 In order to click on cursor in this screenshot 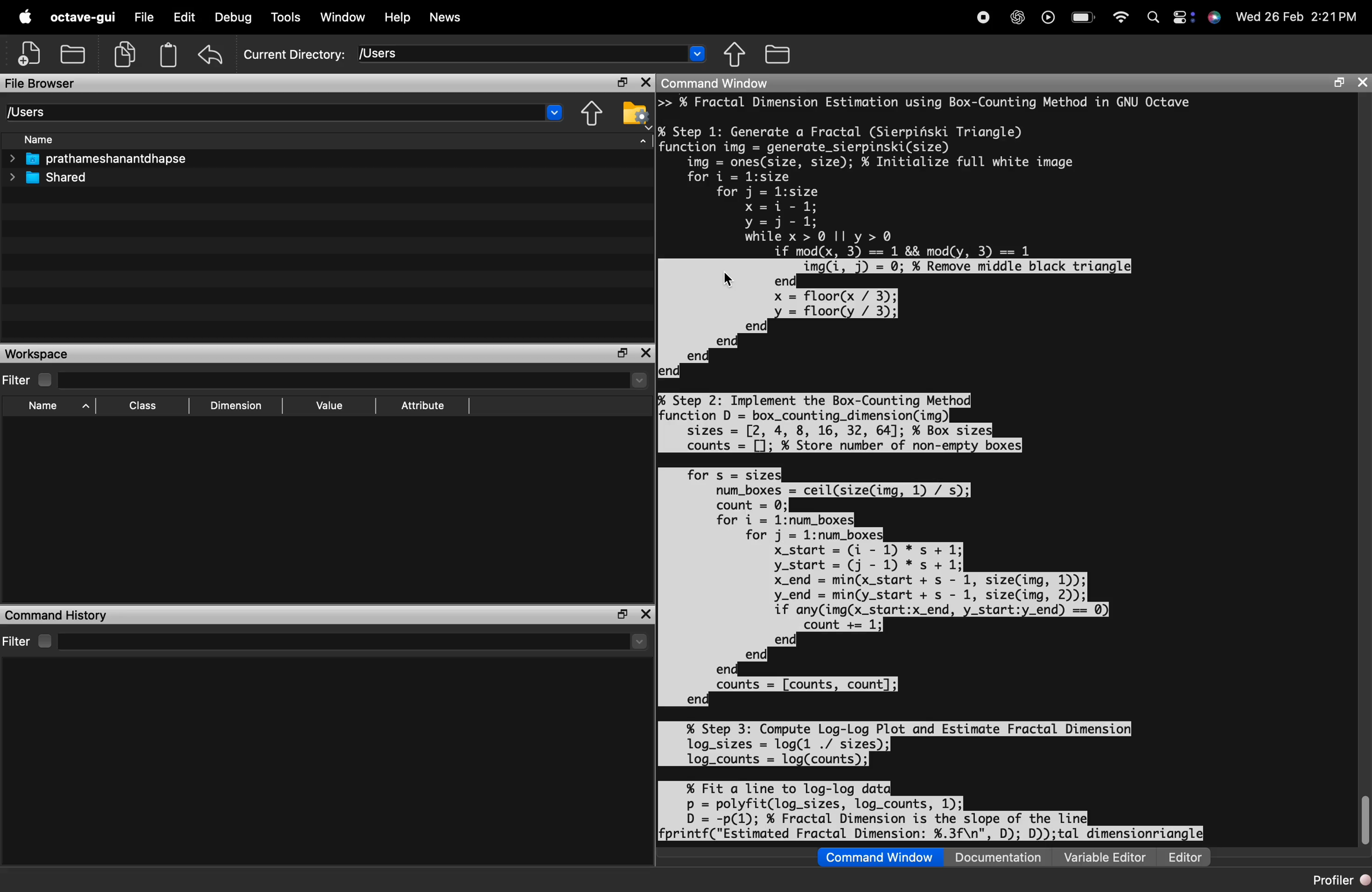, I will do `click(729, 281)`.